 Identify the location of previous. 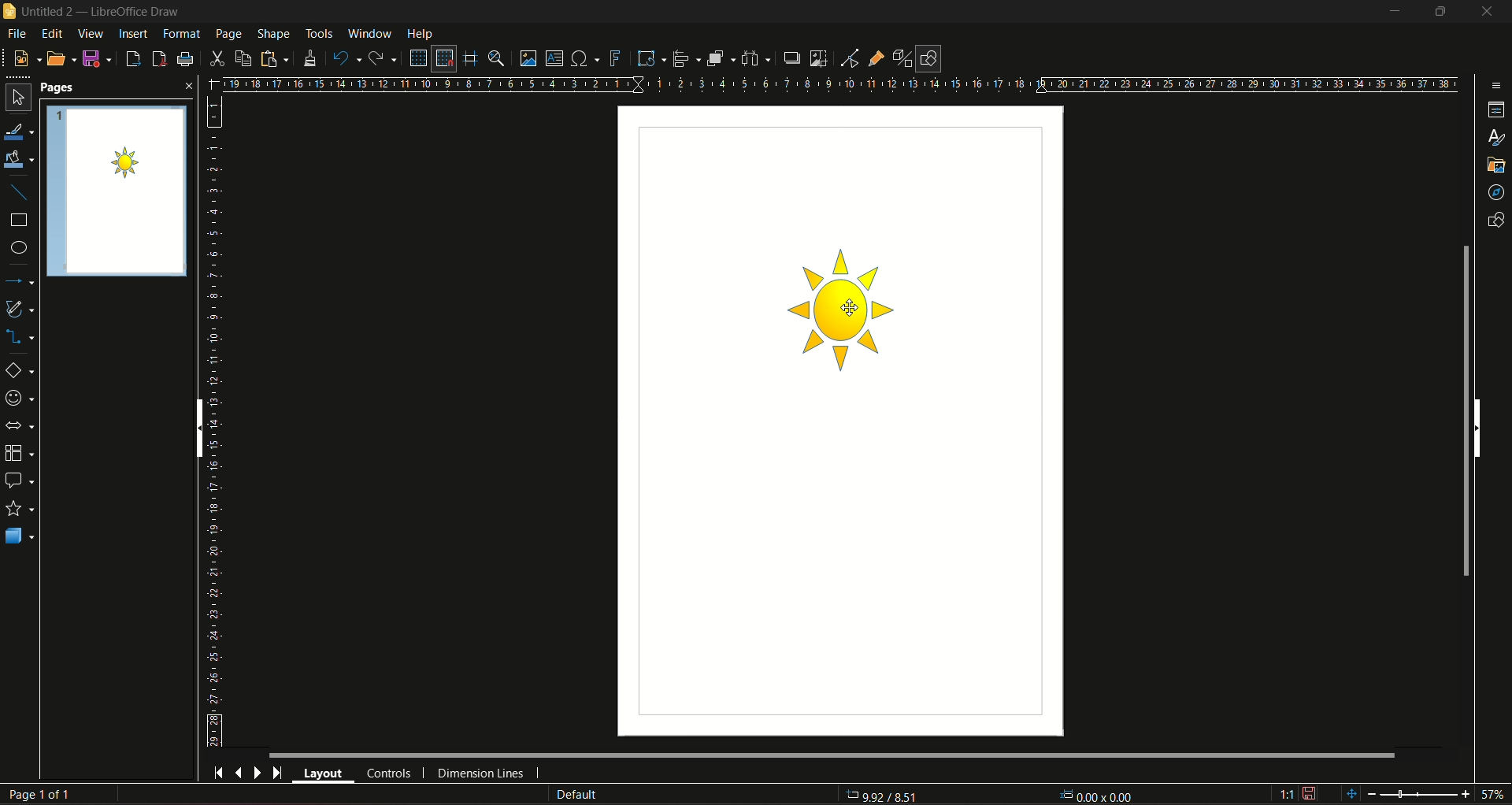
(240, 773).